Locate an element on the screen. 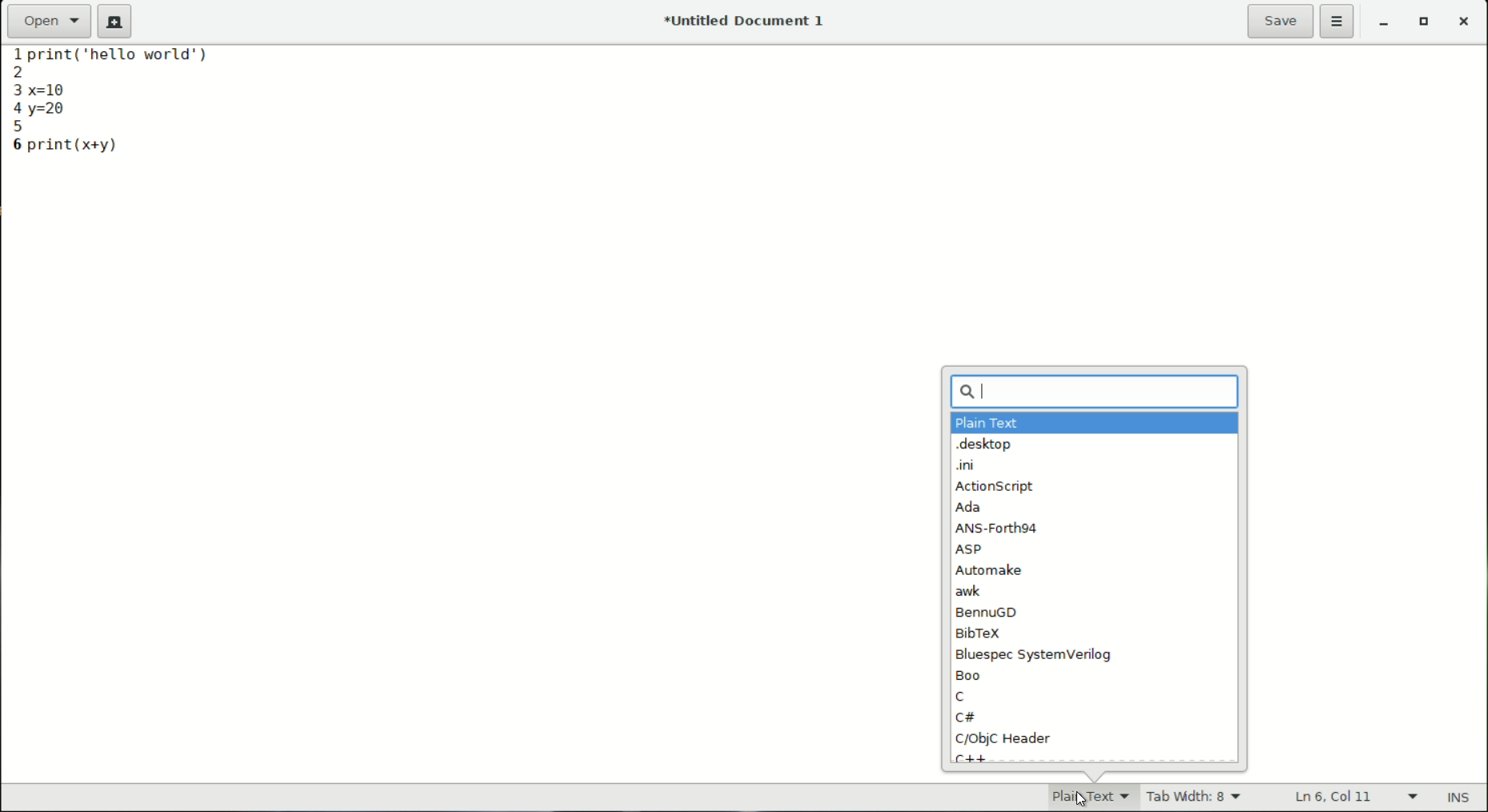 The width and height of the screenshot is (1488, 812). x equation is located at coordinates (62, 87).